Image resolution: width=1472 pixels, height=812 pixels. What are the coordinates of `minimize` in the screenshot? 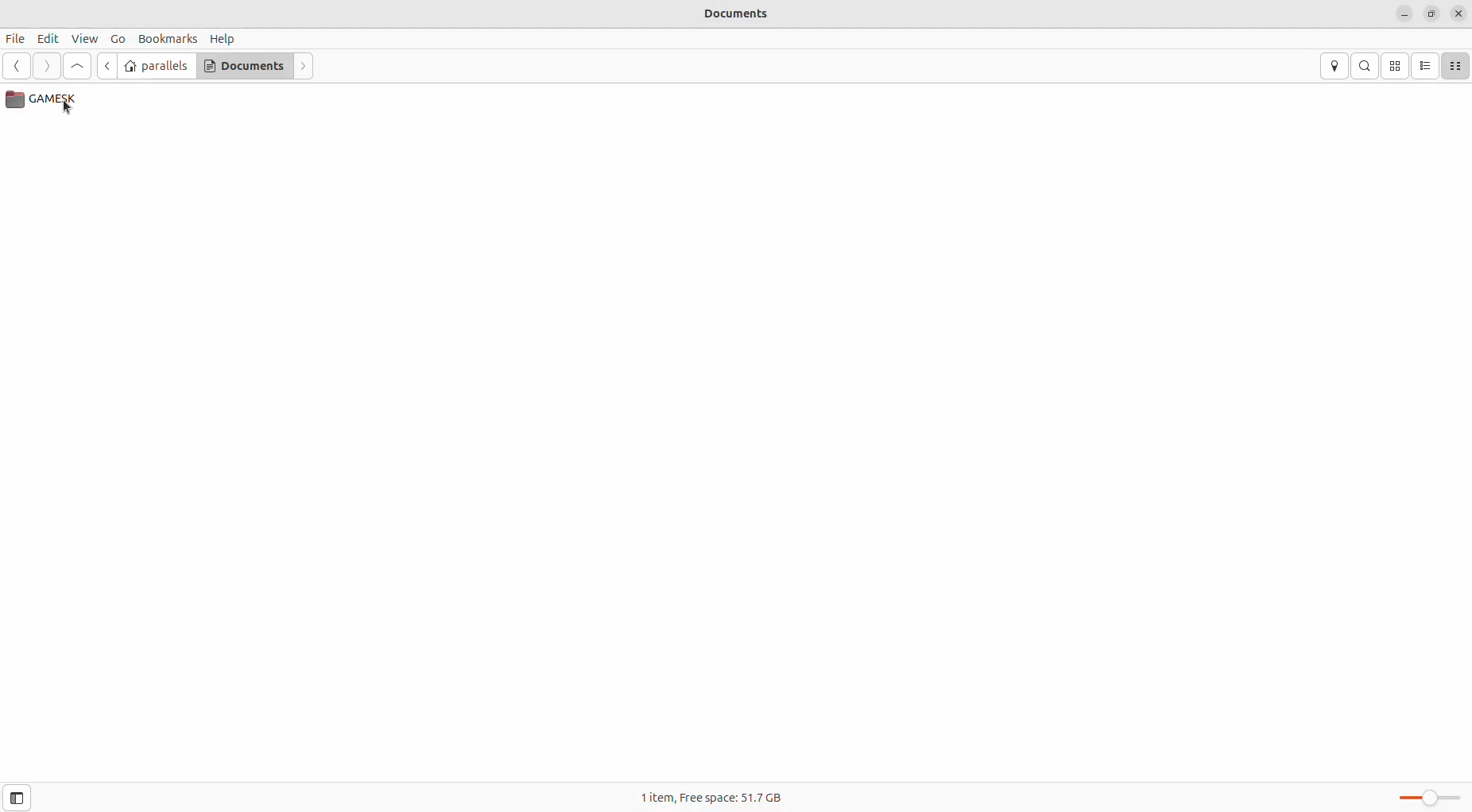 It's located at (1405, 16).